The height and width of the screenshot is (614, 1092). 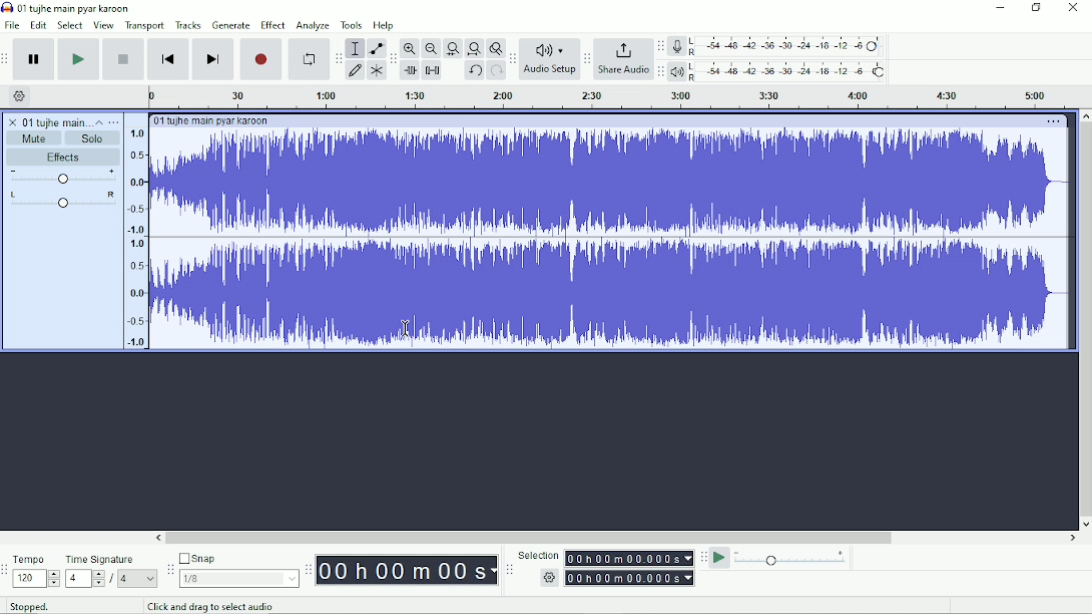 What do you see at coordinates (37, 571) in the screenshot?
I see `Tempo` at bounding box center [37, 571].